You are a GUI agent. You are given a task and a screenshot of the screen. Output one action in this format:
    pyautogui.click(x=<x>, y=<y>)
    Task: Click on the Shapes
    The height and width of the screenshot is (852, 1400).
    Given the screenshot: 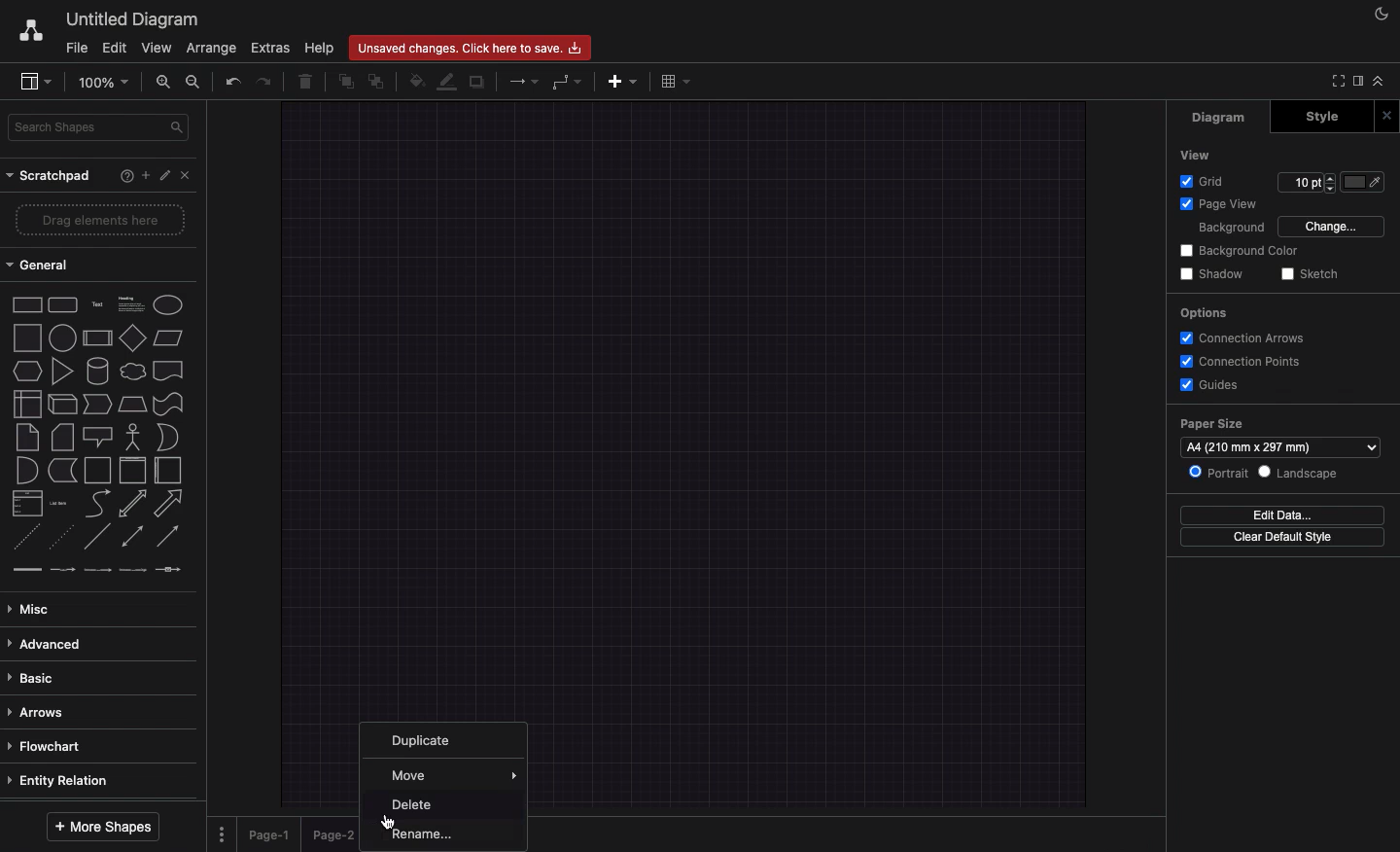 What is the action you would take?
    pyautogui.click(x=97, y=436)
    